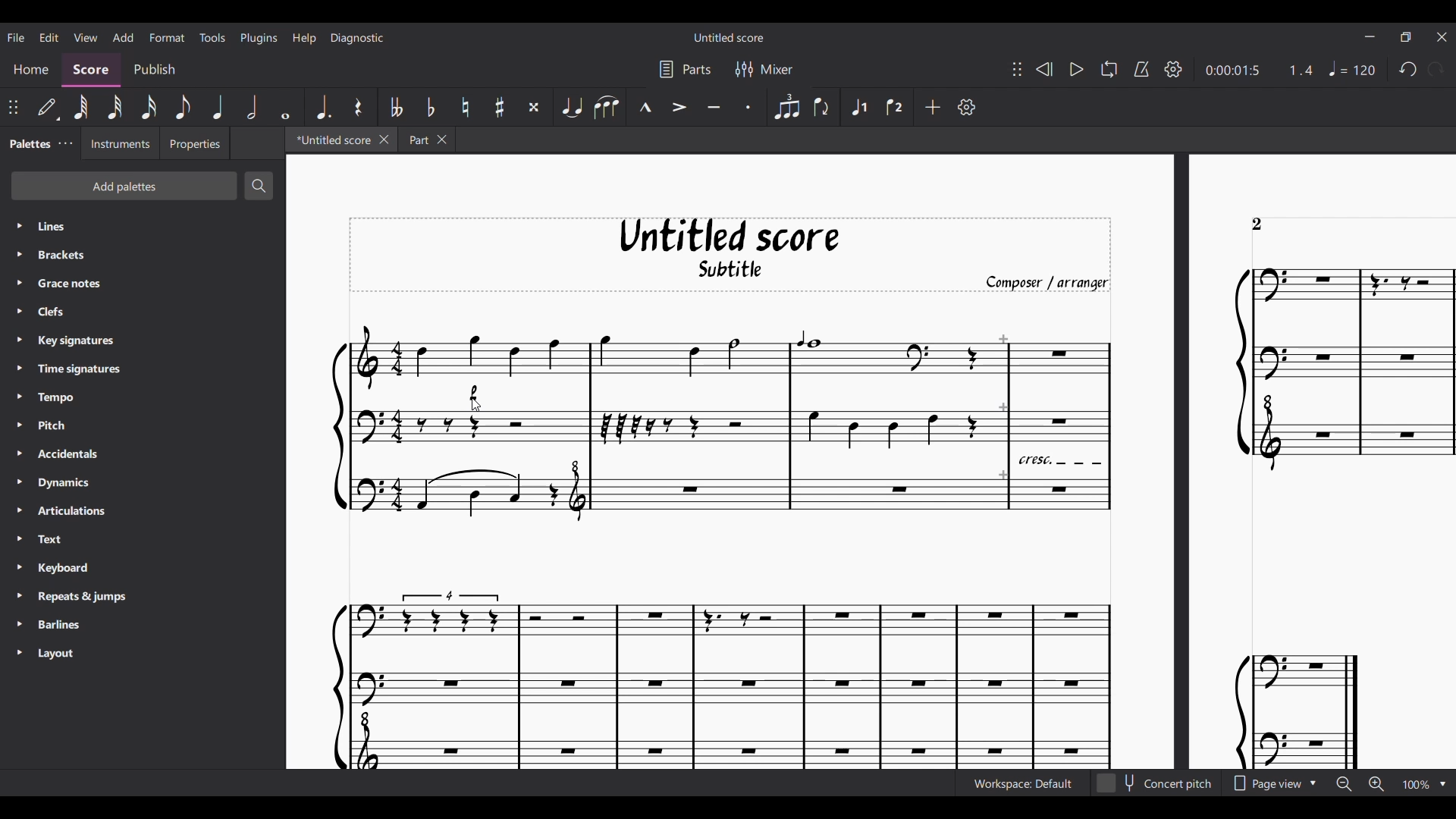  What do you see at coordinates (29, 143) in the screenshot?
I see `Palettes, current tab` at bounding box center [29, 143].